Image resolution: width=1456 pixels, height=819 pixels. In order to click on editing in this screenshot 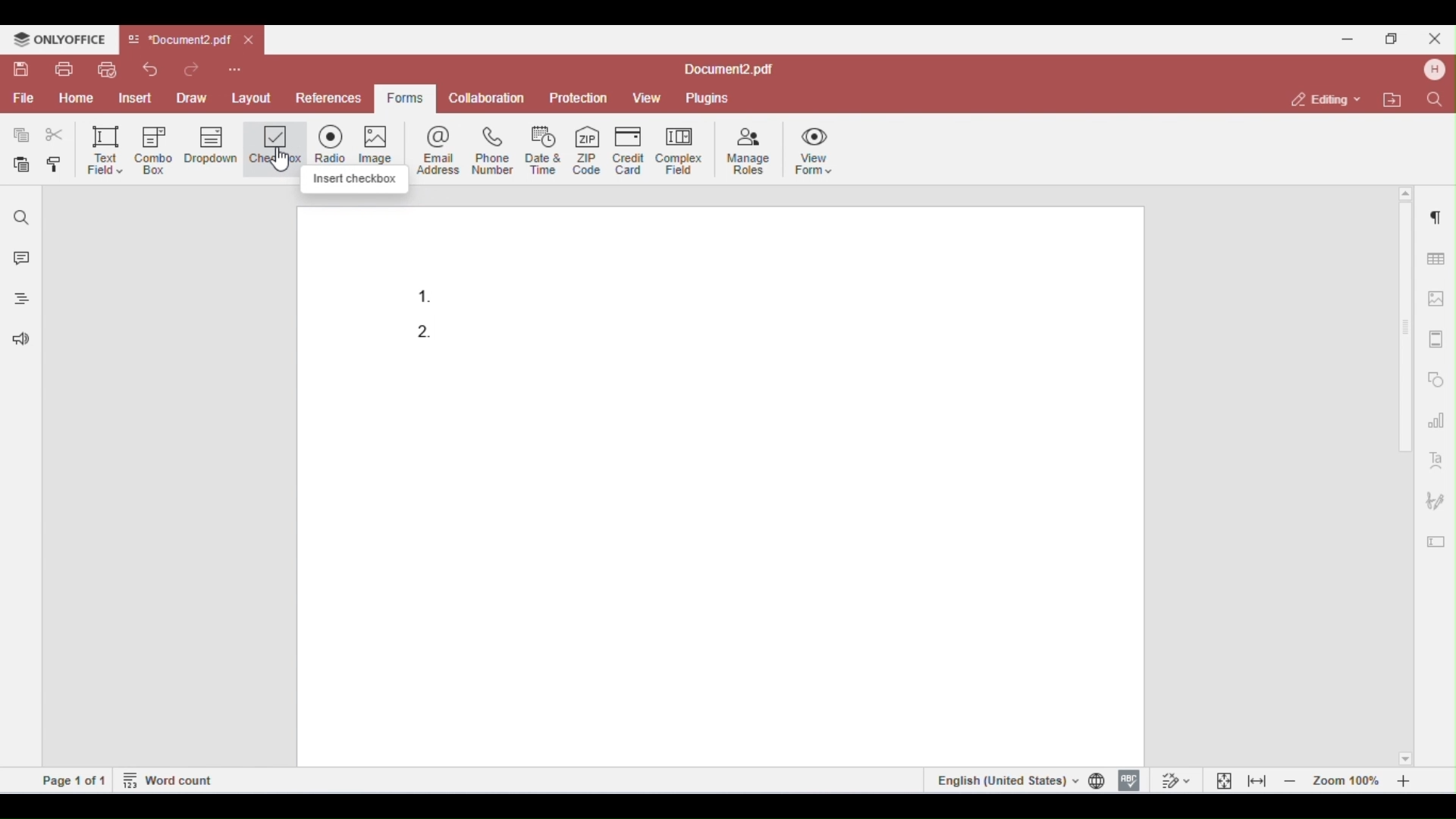, I will do `click(1327, 99)`.